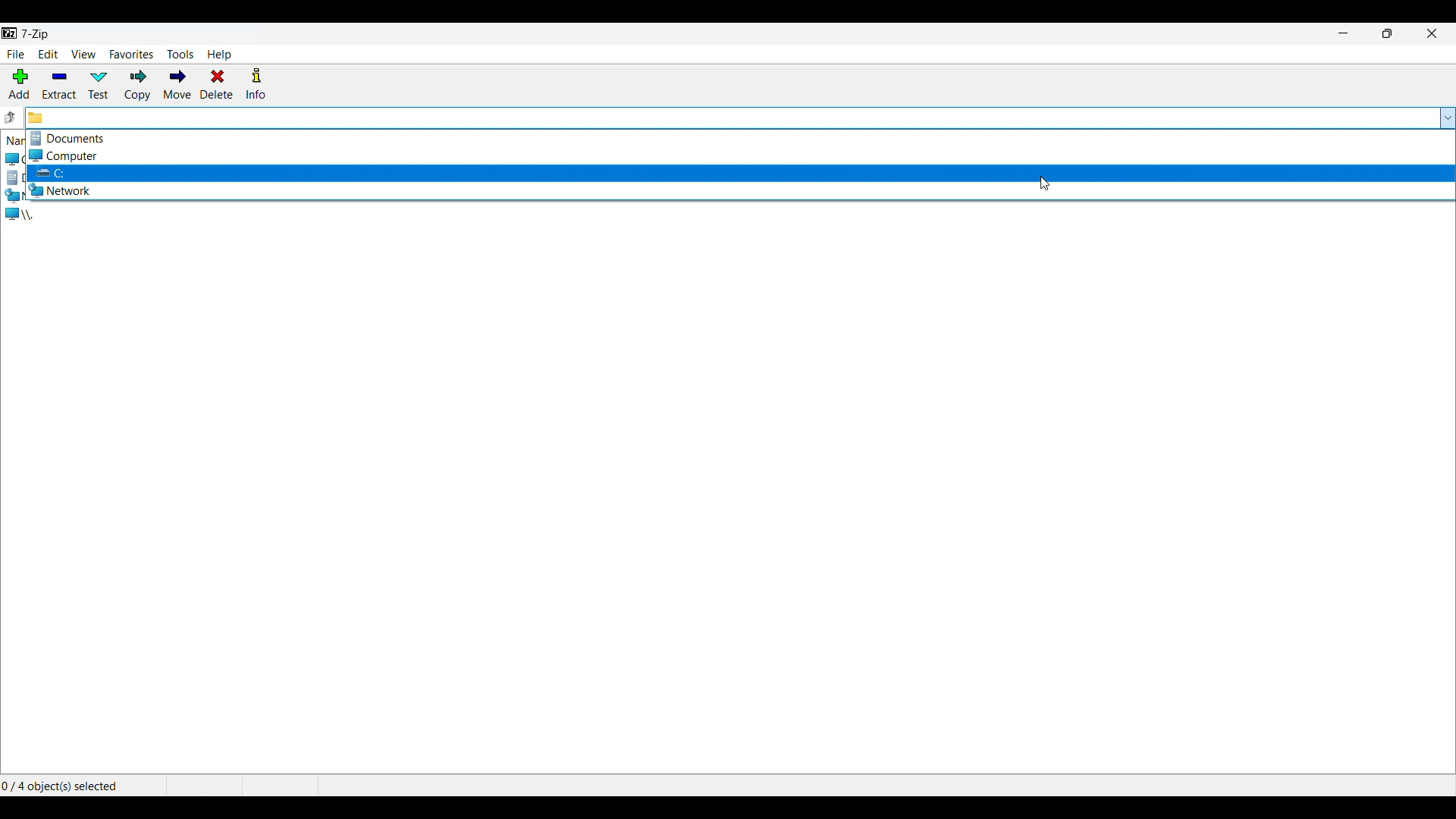  I want to click on Info, so click(256, 83).